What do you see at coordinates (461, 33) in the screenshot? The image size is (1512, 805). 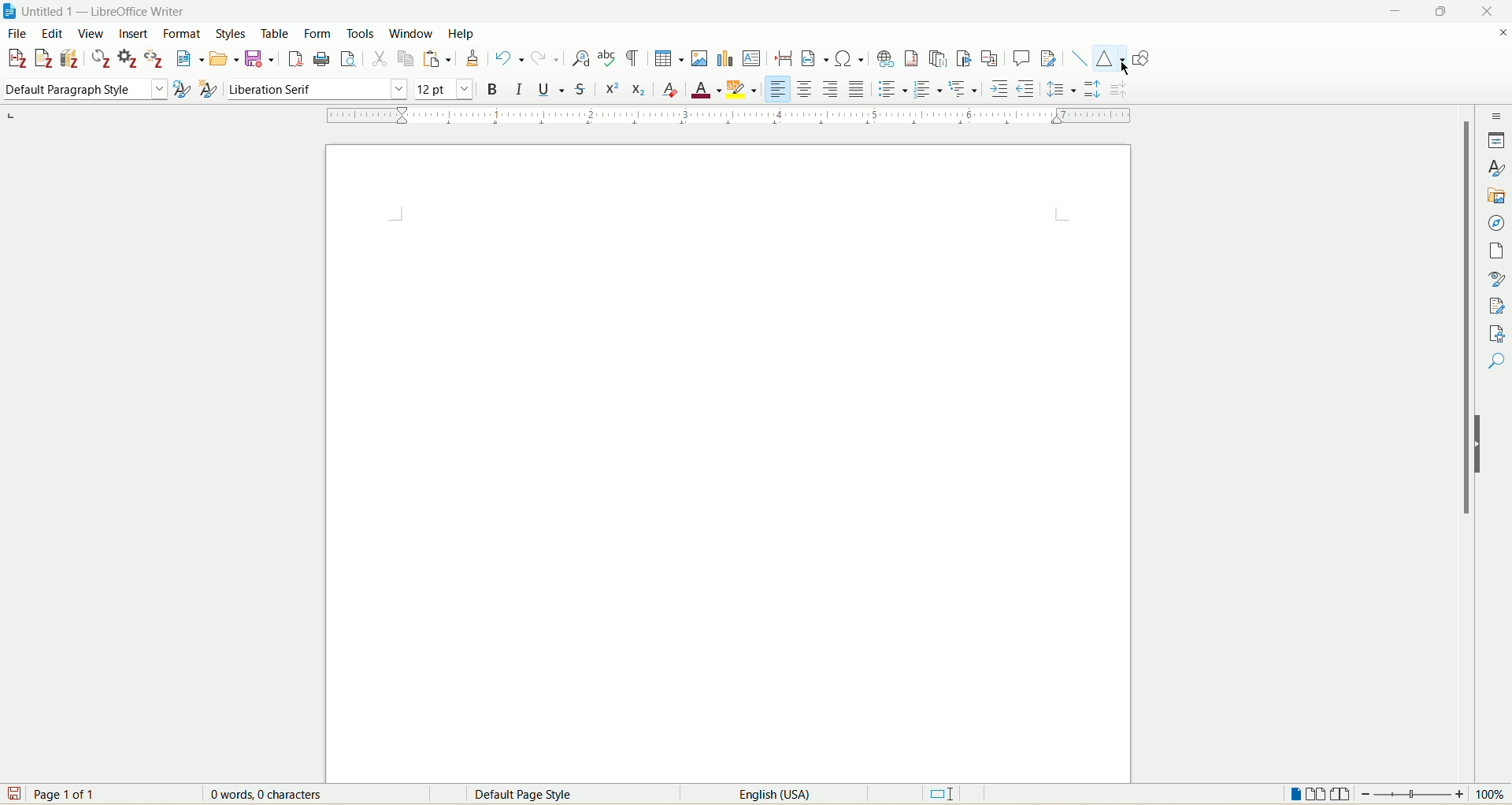 I see `help` at bounding box center [461, 33].